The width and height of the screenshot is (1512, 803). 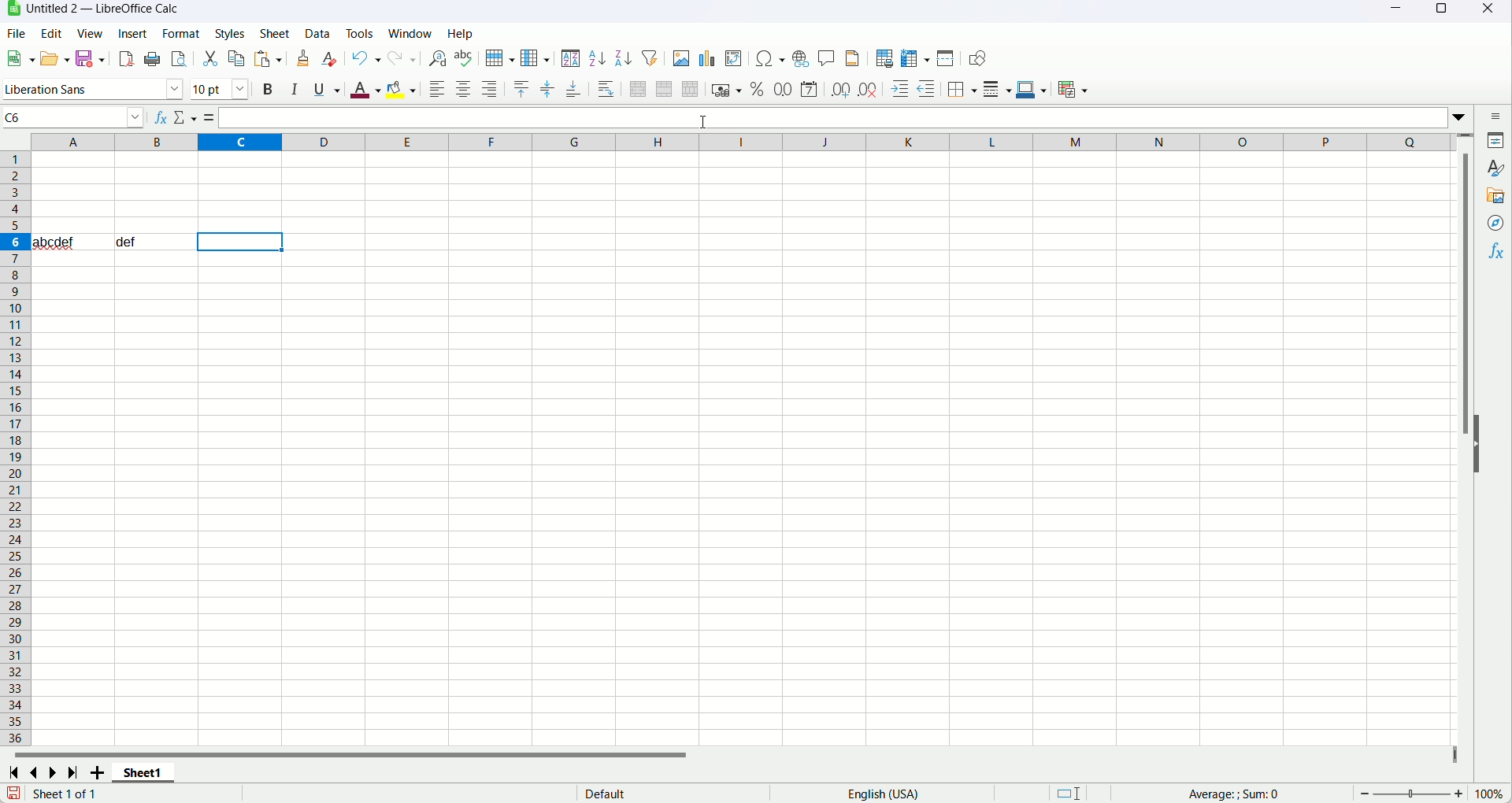 What do you see at coordinates (976, 58) in the screenshot?
I see `draw function` at bounding box center [976, 58].